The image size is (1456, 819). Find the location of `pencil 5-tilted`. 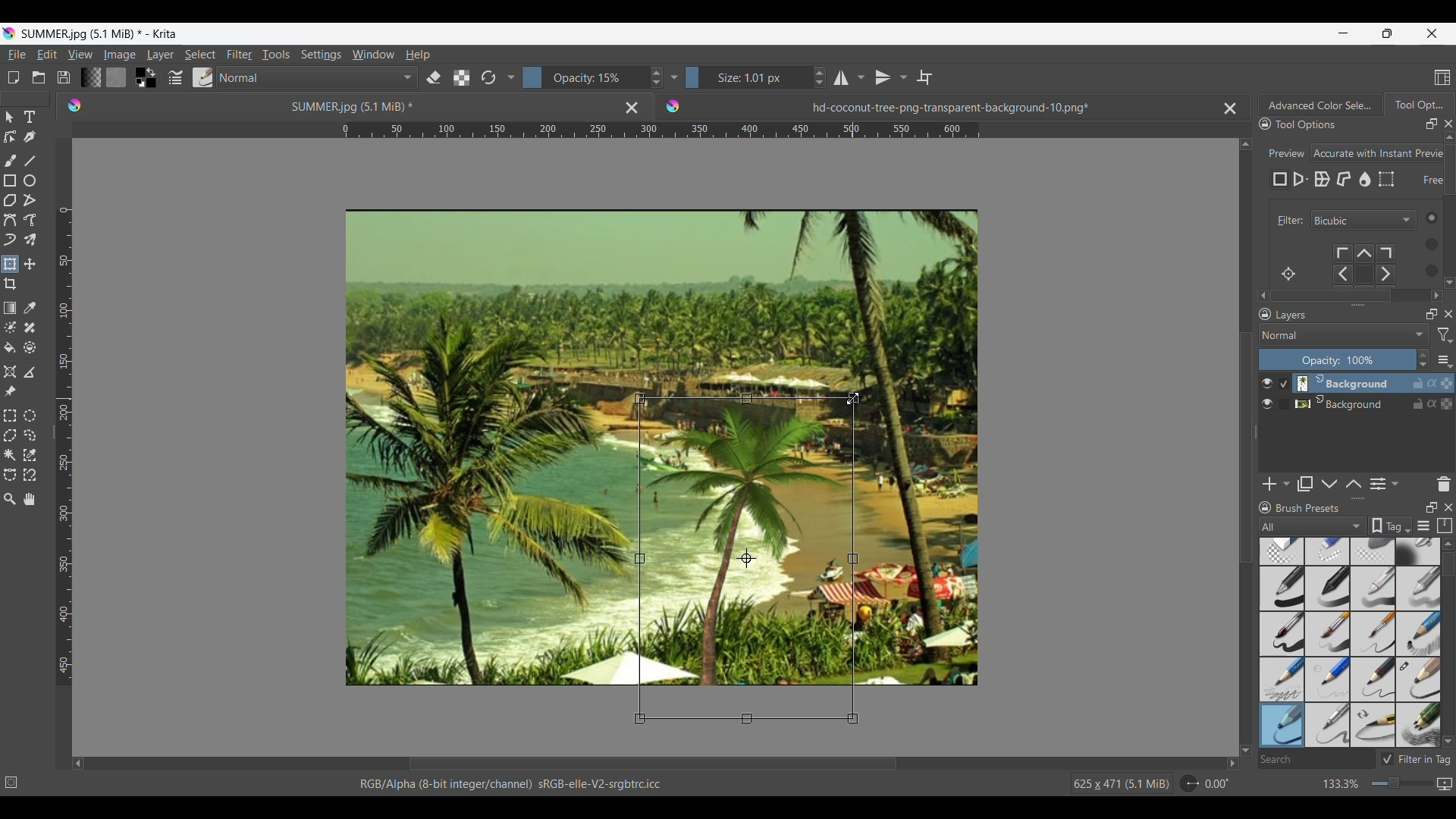

pencil 5-tilted is located at coordinates (1329, 724).